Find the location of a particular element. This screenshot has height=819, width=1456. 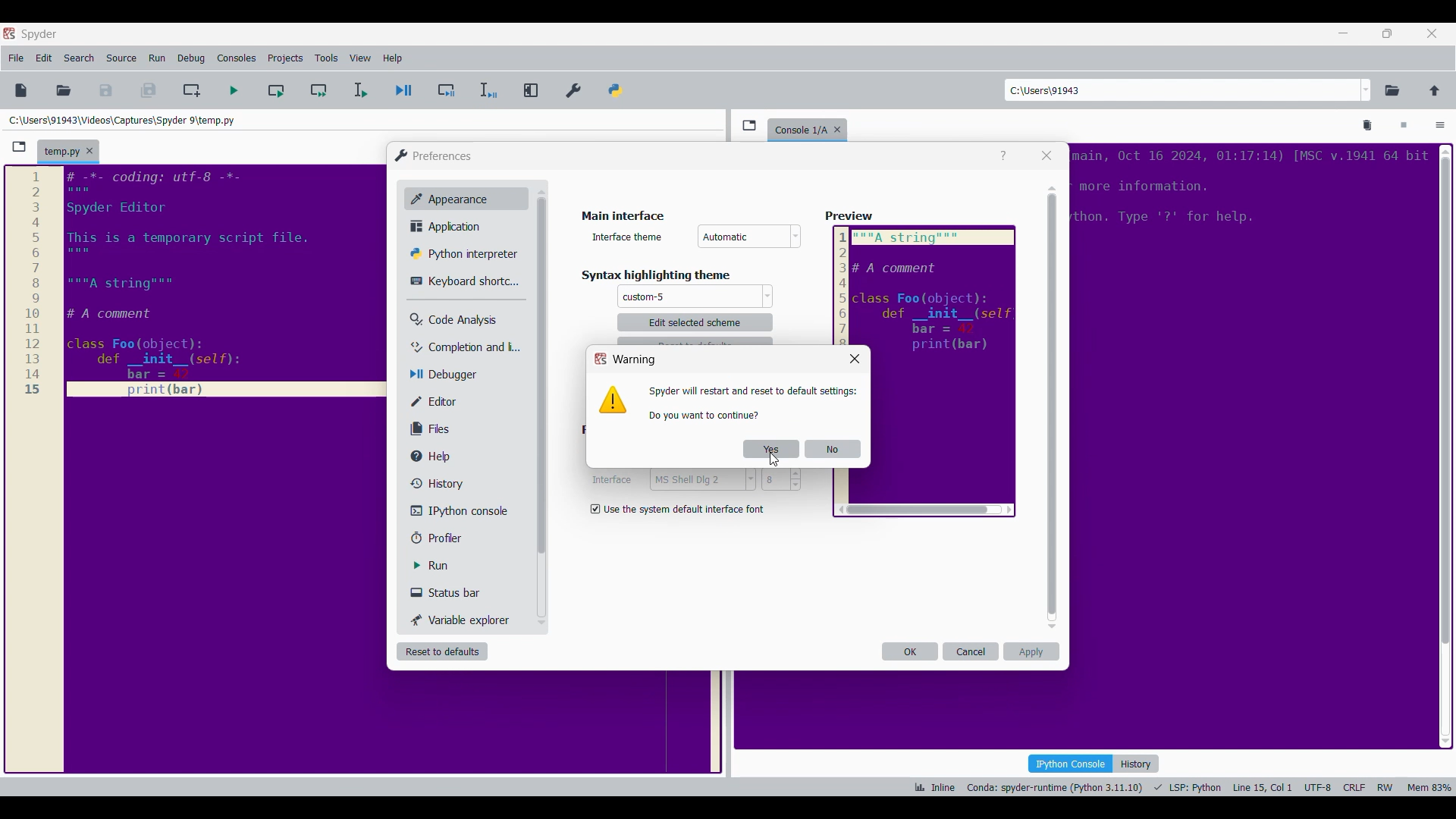

Status bar is located at coordinates (466, 592).